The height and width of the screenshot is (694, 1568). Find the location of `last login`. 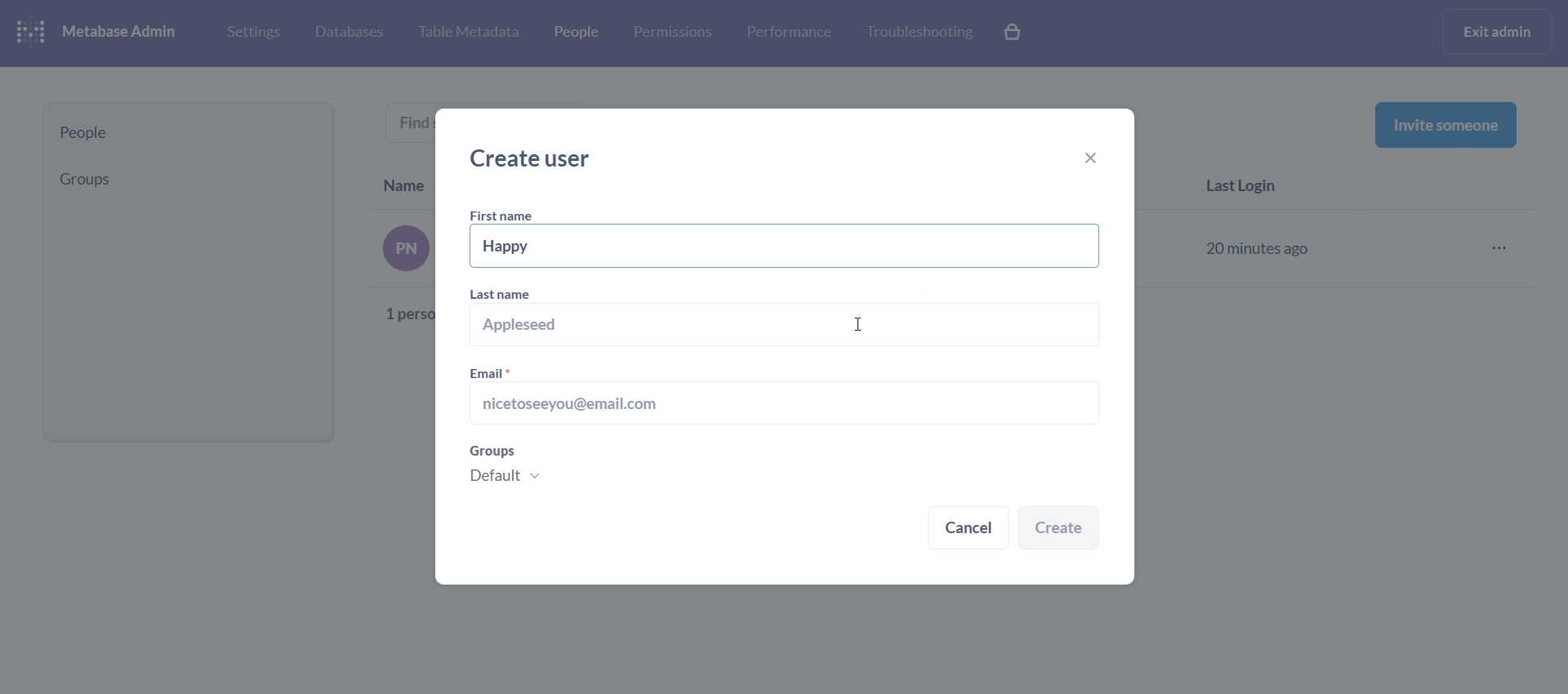

last login is located at coordinates (1249, 188).